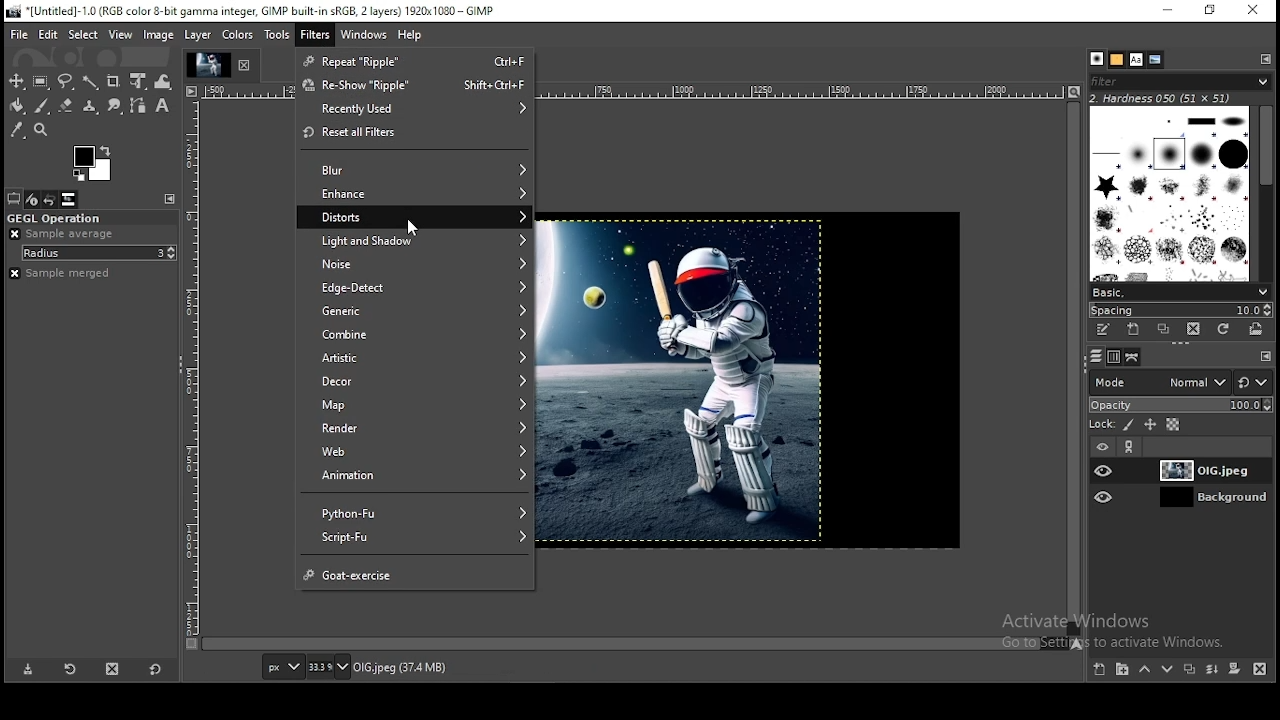 This screenshot has width=1280, height=720. I want to click on lock alpha channel, so click(1173, 424).